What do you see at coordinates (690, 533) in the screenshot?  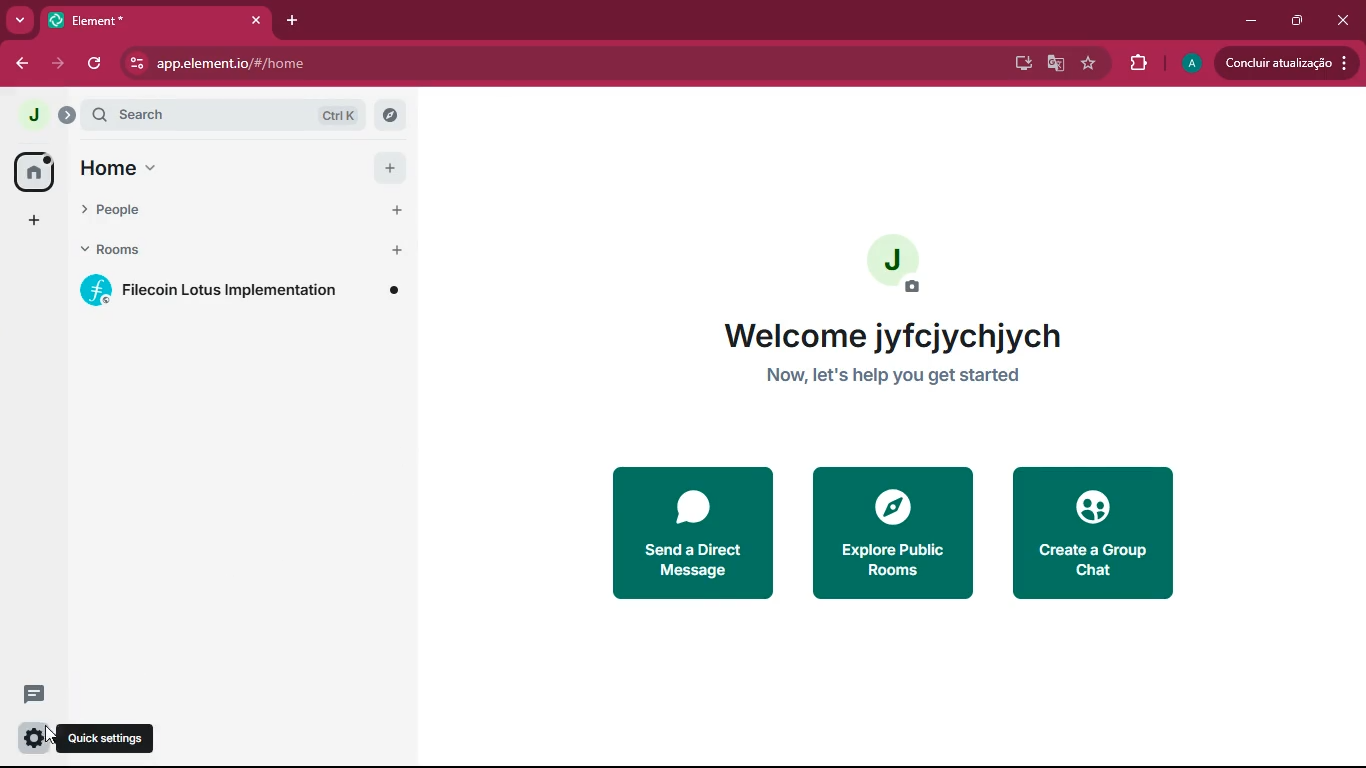 I see `send a direct message` at bounding box center [690, 533].